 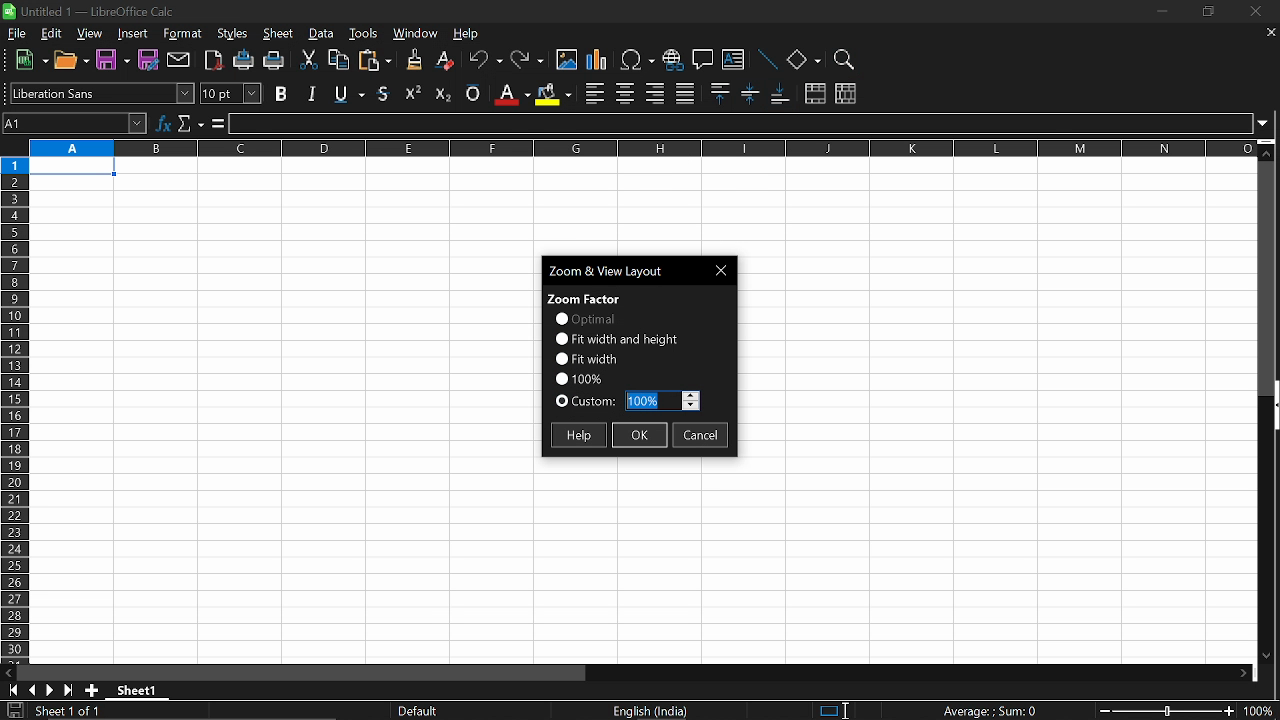 I want to click on help, so click(x=577, y=435).